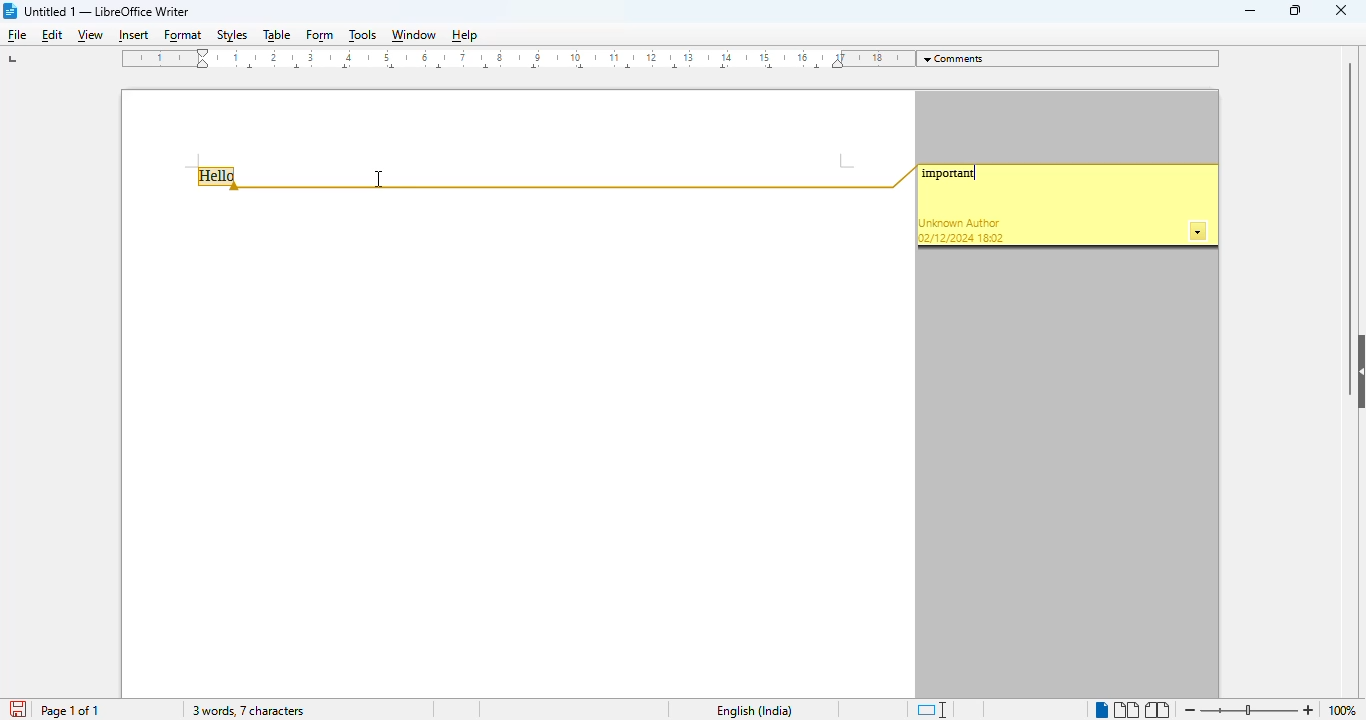 The height and width of the screenshot is (720, 1366). What do you see at coordinates (1341, 9) in the screenshot?
I see `close` at bounding box center [1341, 9].